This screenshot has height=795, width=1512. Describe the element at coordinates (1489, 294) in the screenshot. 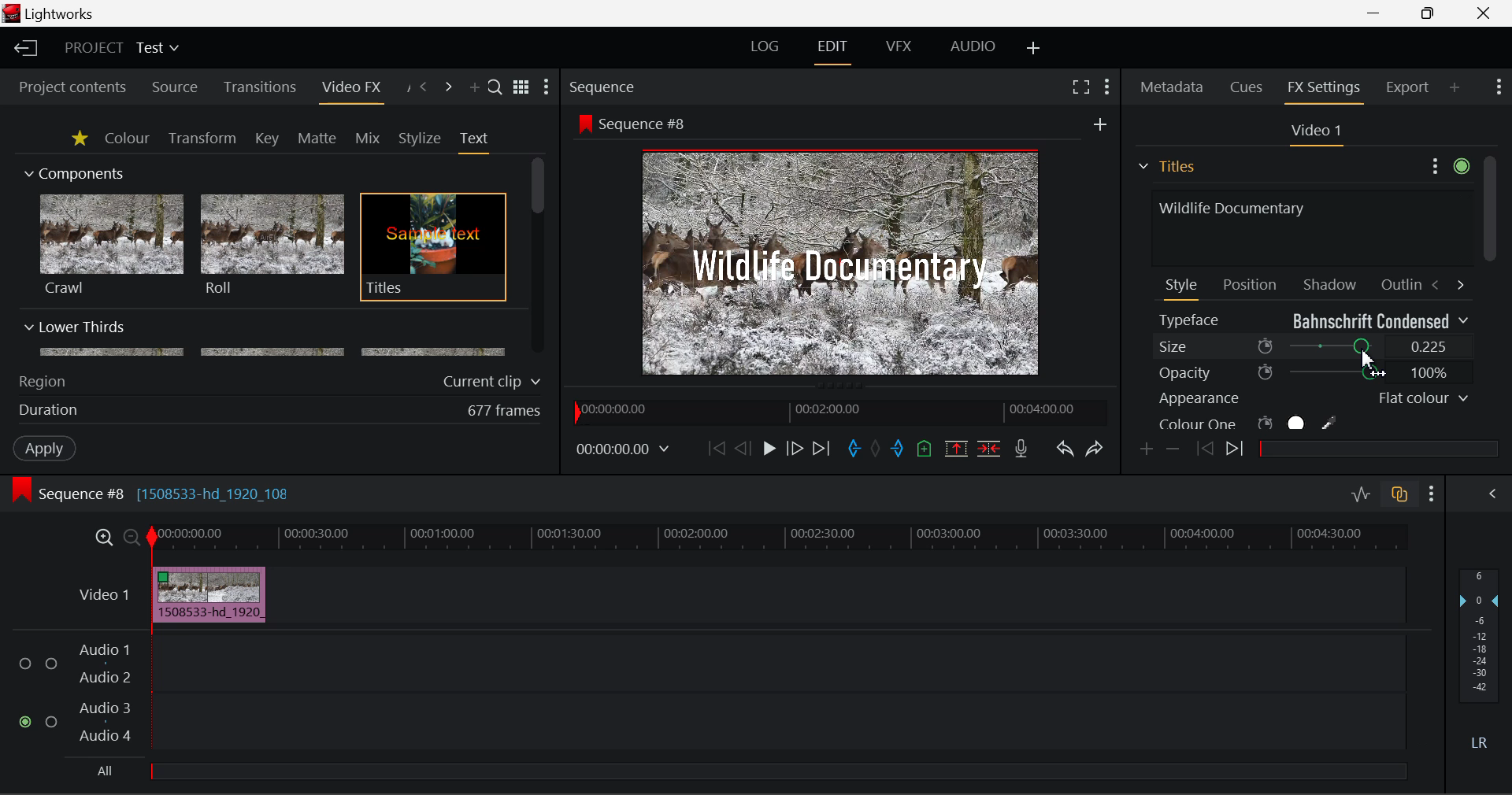

I see `Scroll Bar` at that location.